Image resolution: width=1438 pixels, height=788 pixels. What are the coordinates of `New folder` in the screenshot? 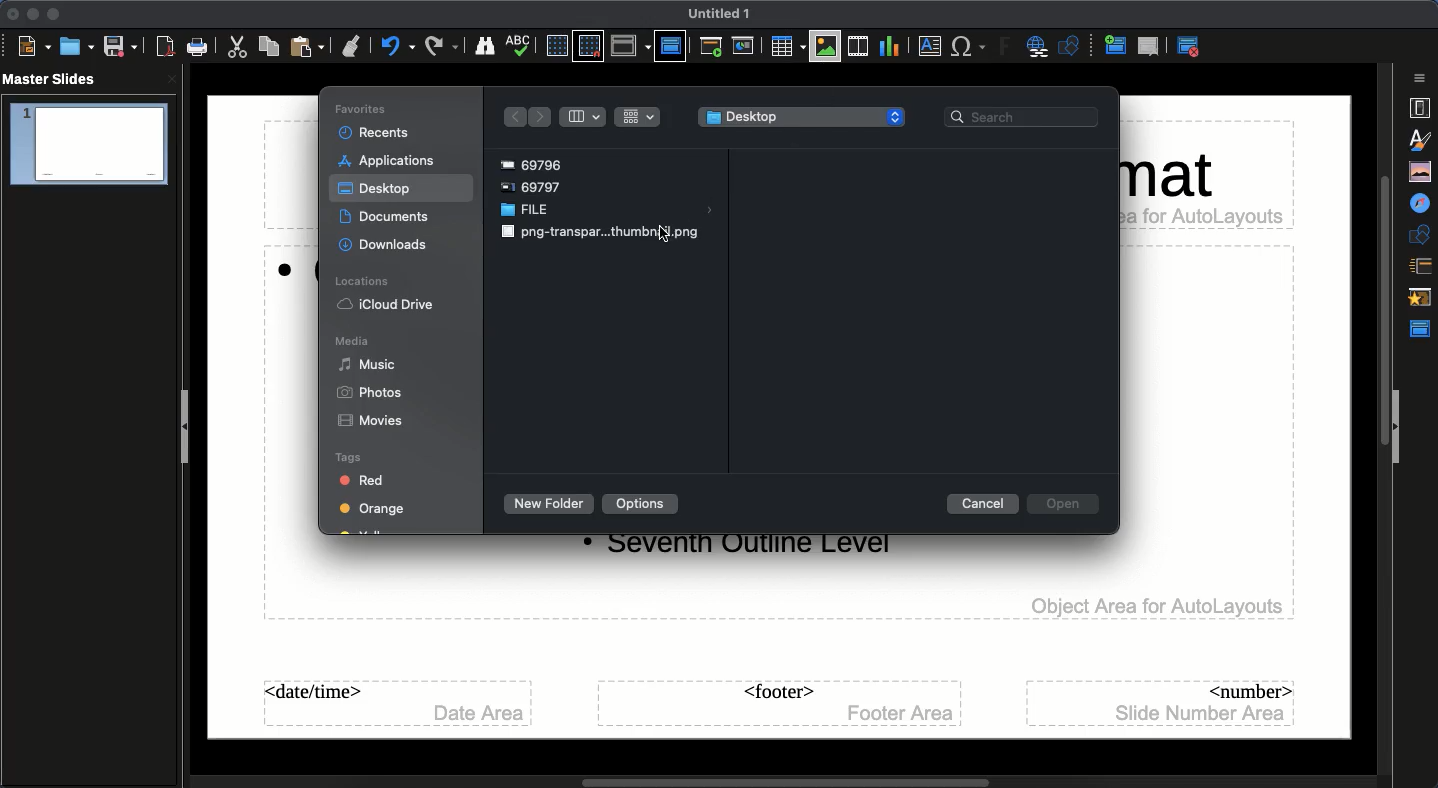 It's located at (545, 504).